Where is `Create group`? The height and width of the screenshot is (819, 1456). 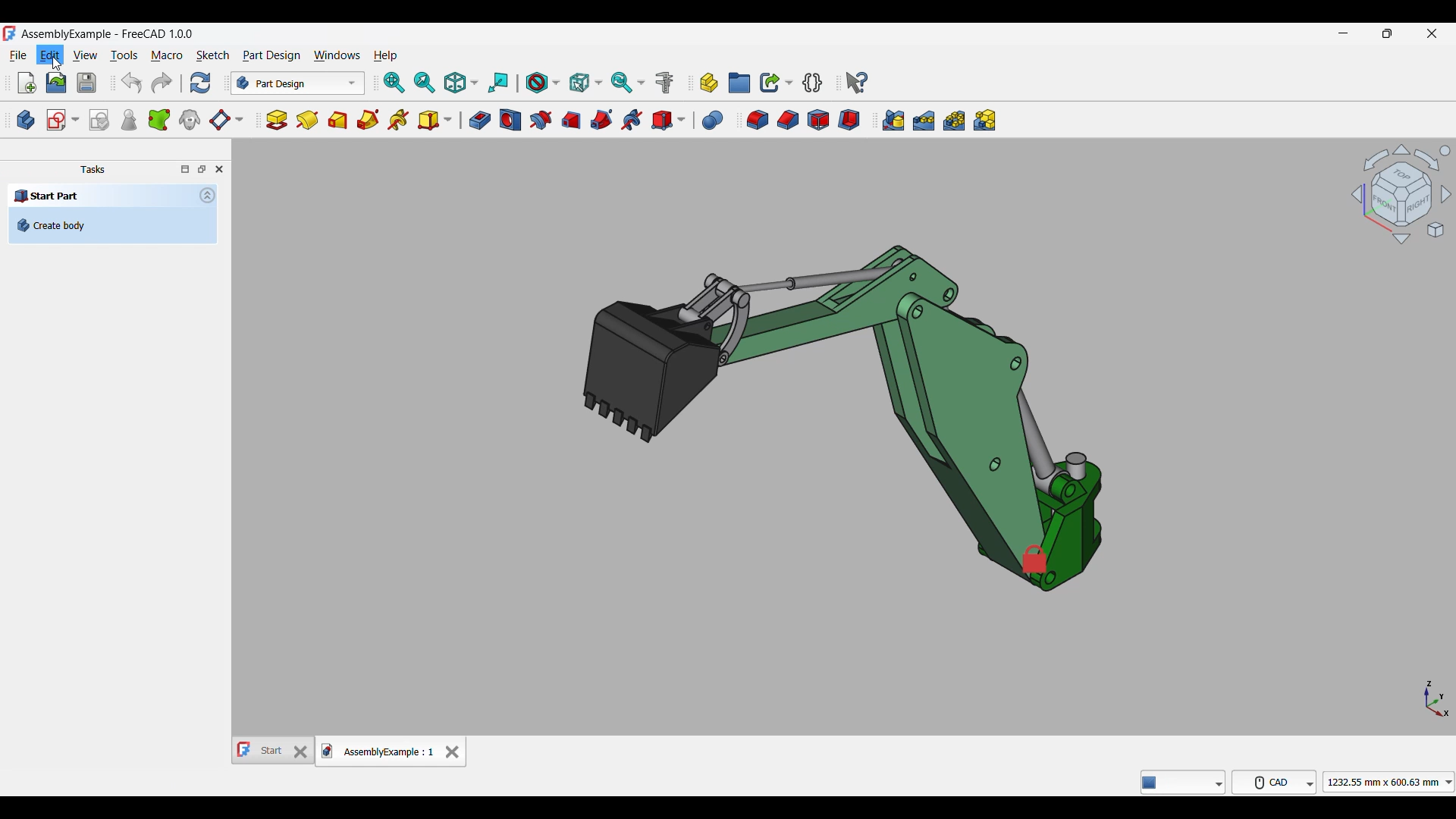
Create group is located at coordinates (740, 83).